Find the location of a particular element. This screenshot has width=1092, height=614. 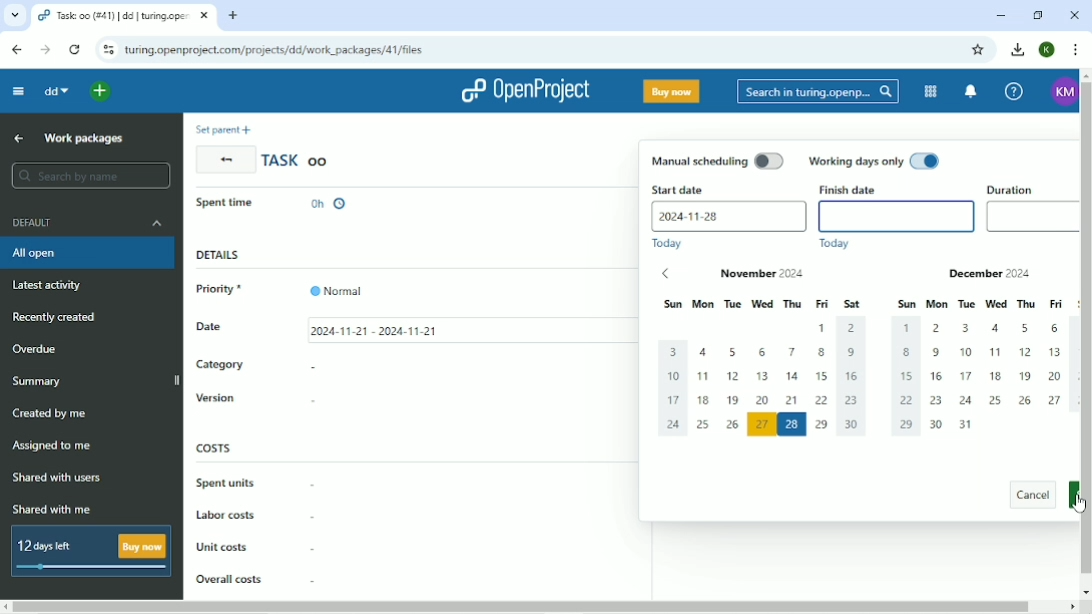

Overdue is located at coordinates (39, 348).